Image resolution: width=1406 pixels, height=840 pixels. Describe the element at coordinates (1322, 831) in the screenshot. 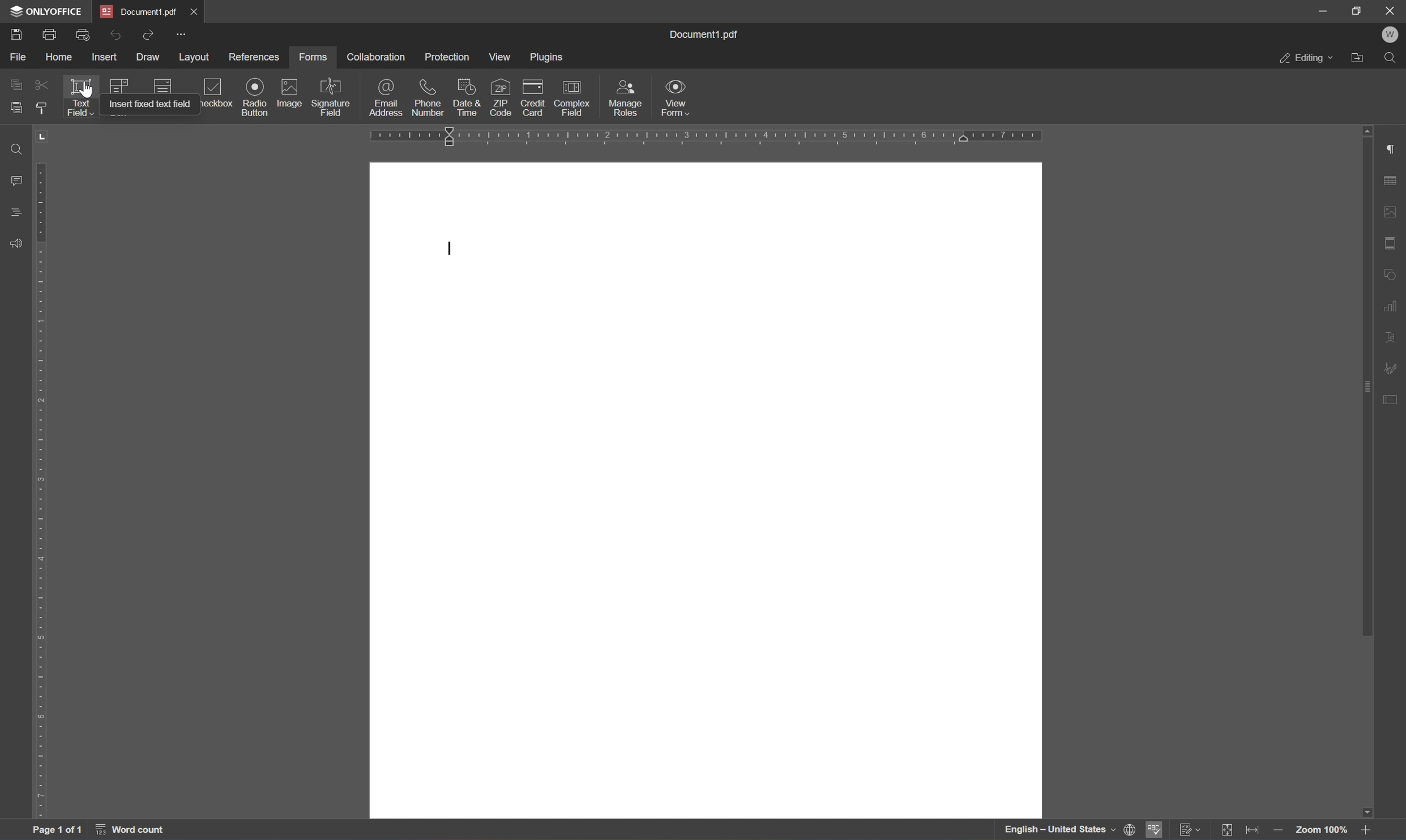

I see `zoom 100%` at that location.